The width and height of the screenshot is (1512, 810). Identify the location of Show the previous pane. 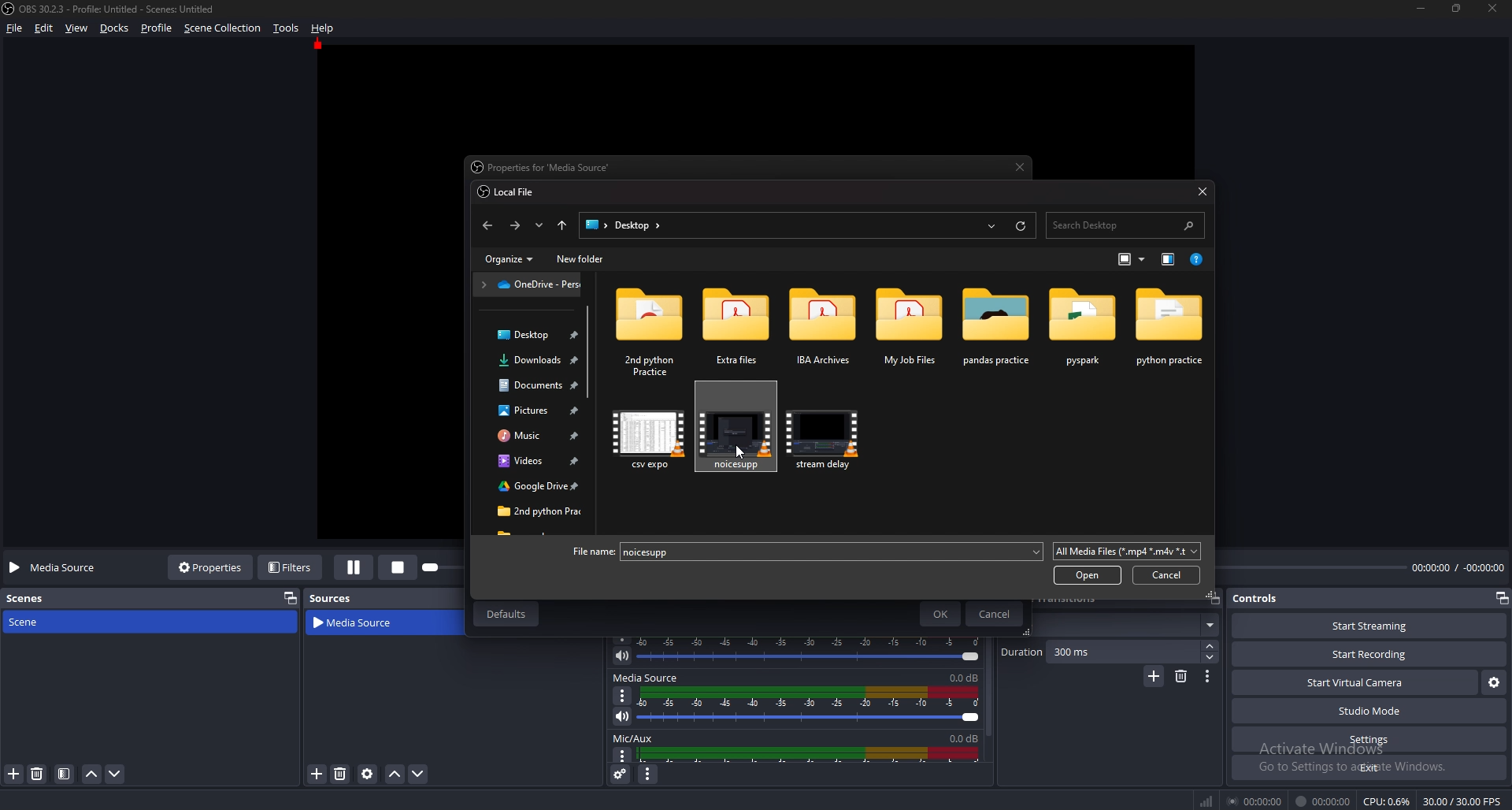
(1169, 259).